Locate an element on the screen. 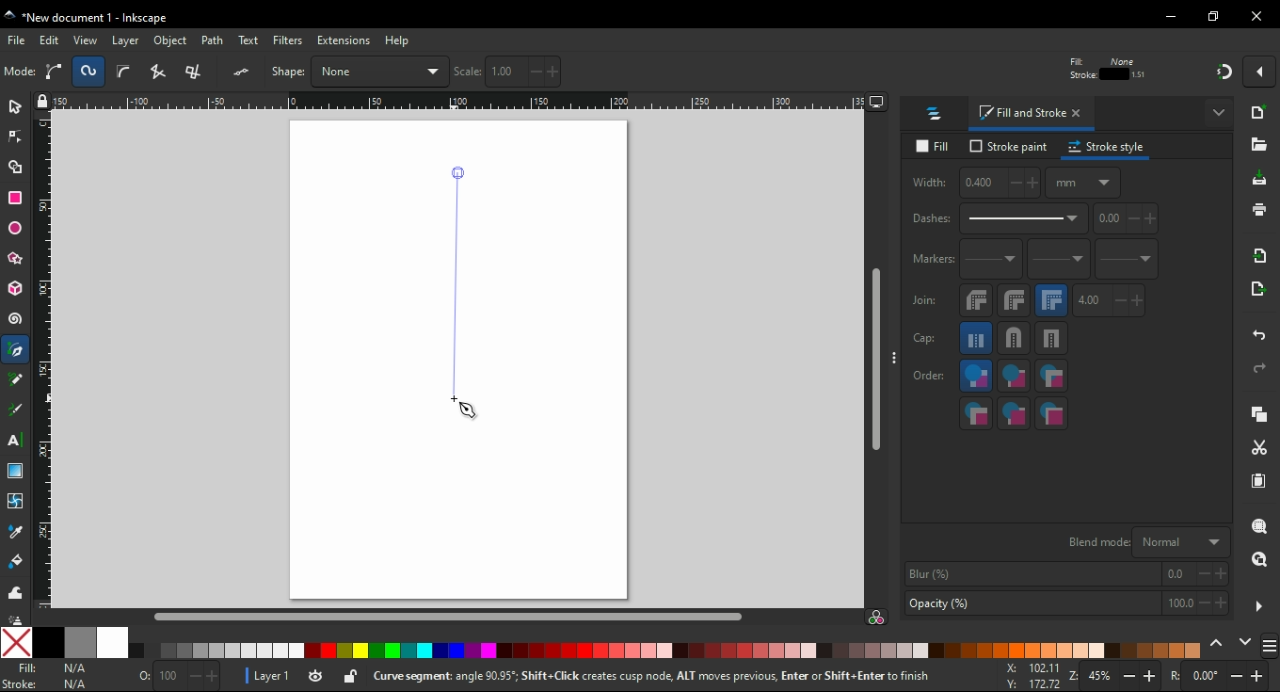 This screenshot has height=692, width=1280. file is located at coordinates (18, 40).